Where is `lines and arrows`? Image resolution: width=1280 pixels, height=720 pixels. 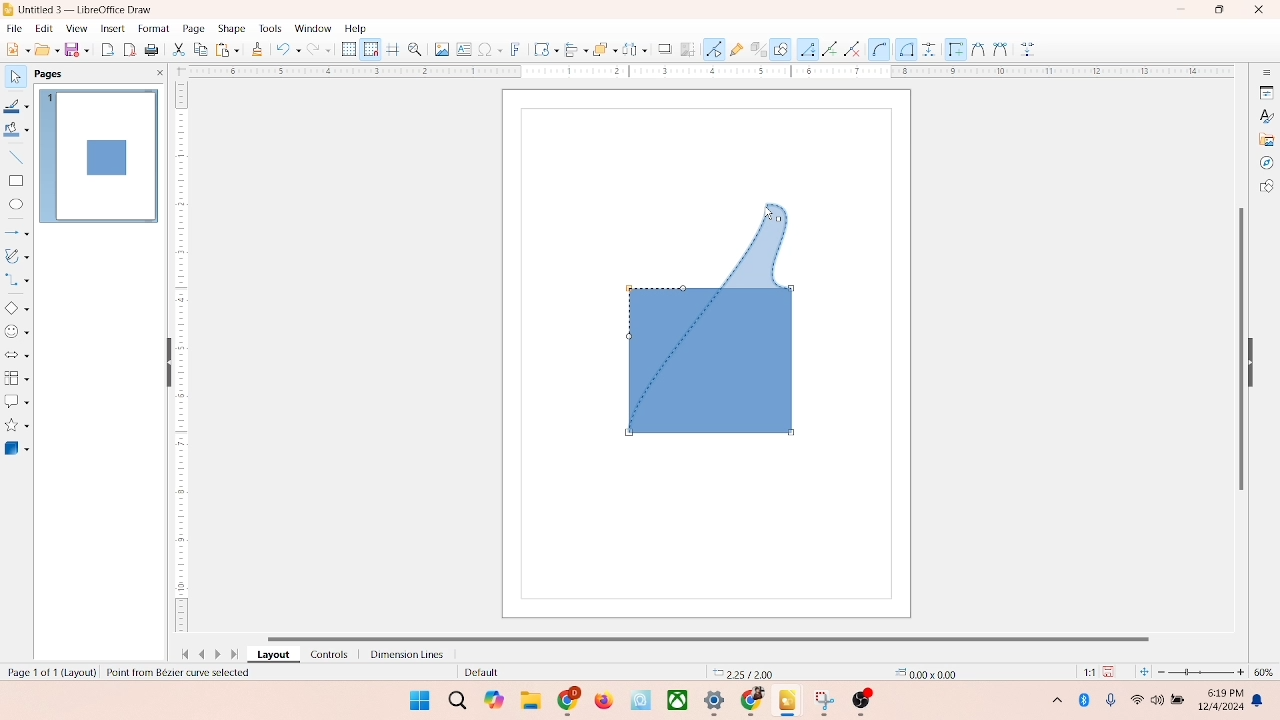
lines and arrows is located at coordinates (17, 232).